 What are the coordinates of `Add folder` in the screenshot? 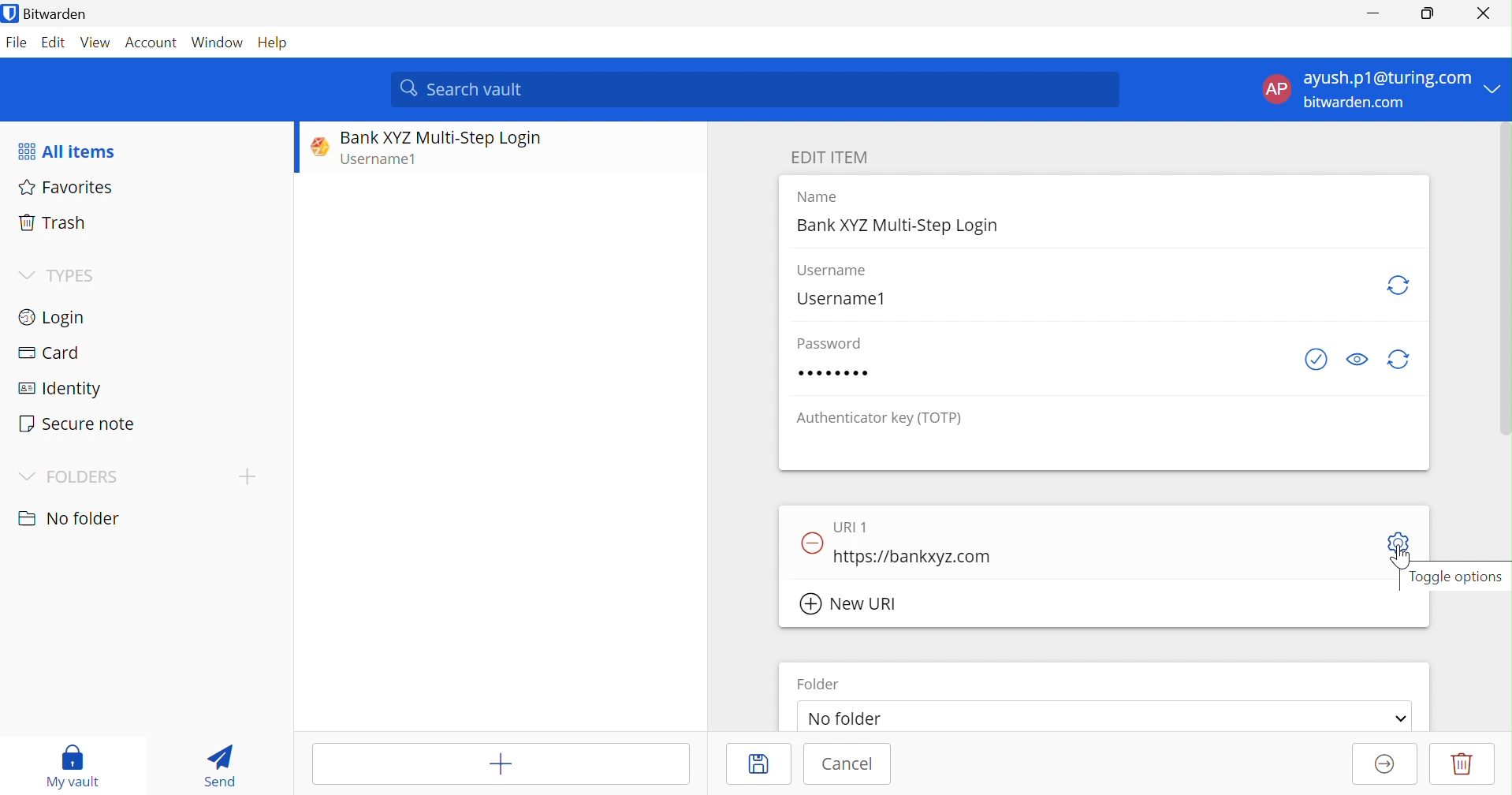 It's located at (248, 476).